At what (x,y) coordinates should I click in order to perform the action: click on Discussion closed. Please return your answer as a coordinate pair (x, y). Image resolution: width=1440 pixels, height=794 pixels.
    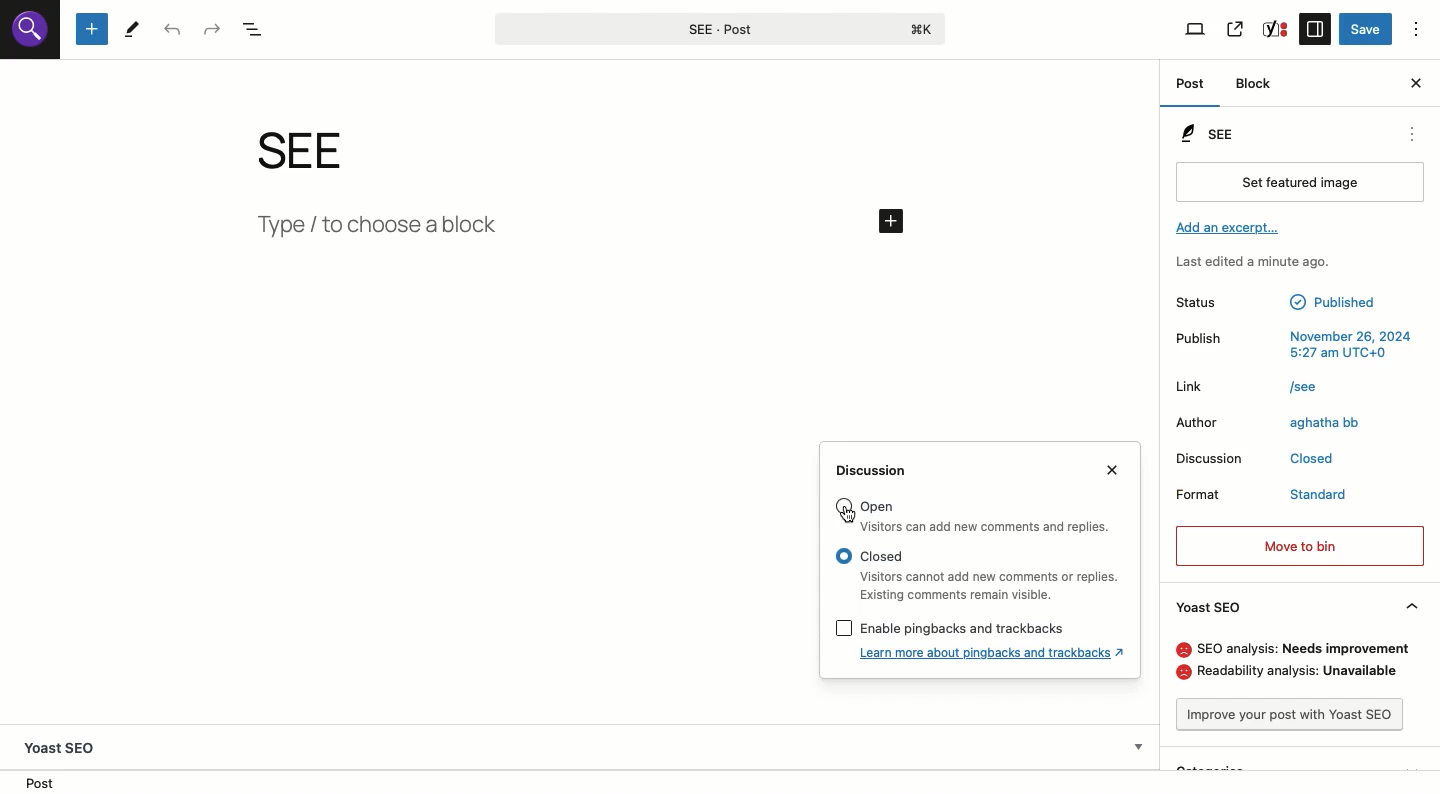
    Looking at the image, I should click on (1266, 457).